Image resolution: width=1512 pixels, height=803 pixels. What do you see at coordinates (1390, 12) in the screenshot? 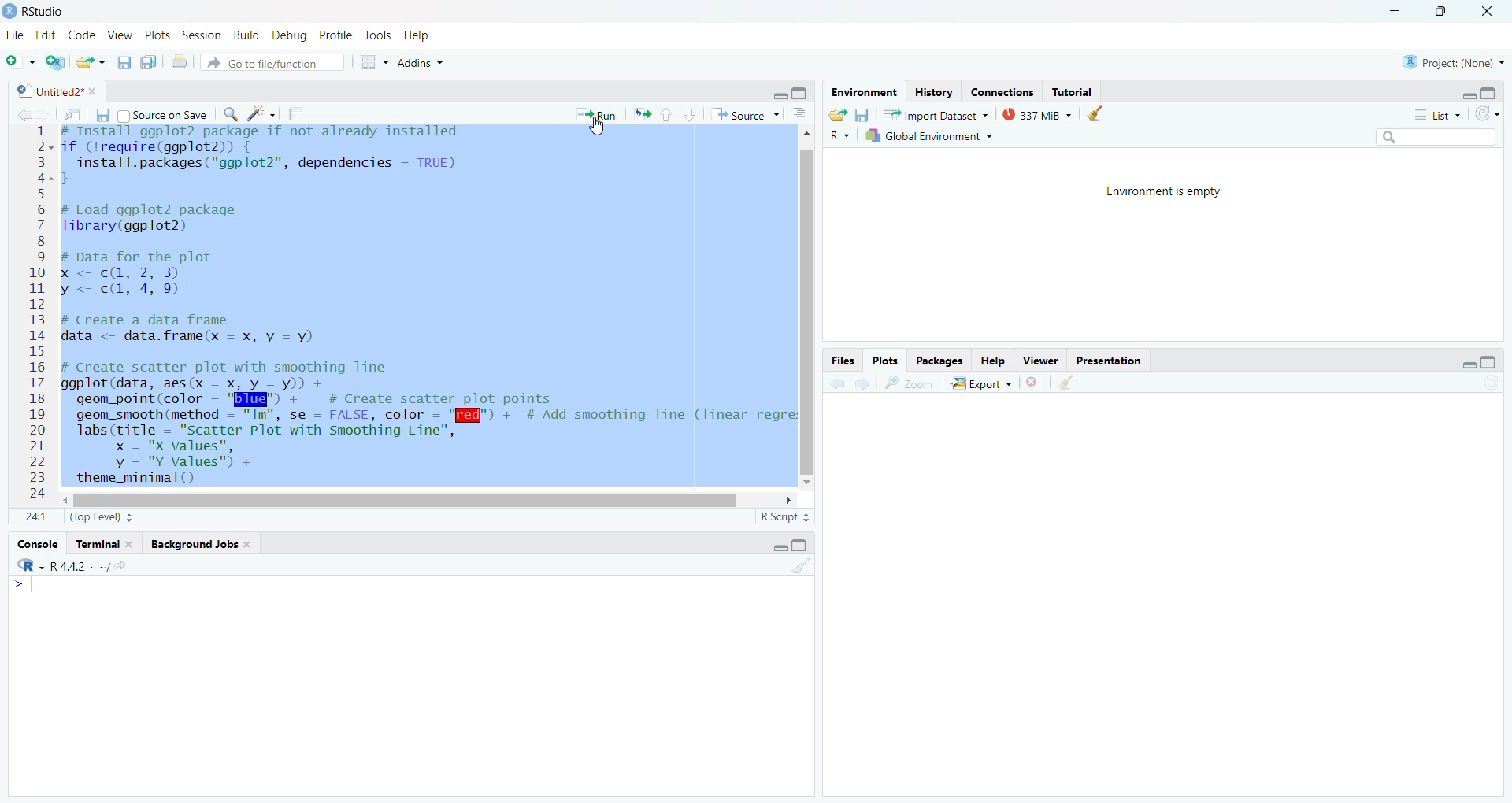
I see `minimize` at bounding box center [1390, 12].